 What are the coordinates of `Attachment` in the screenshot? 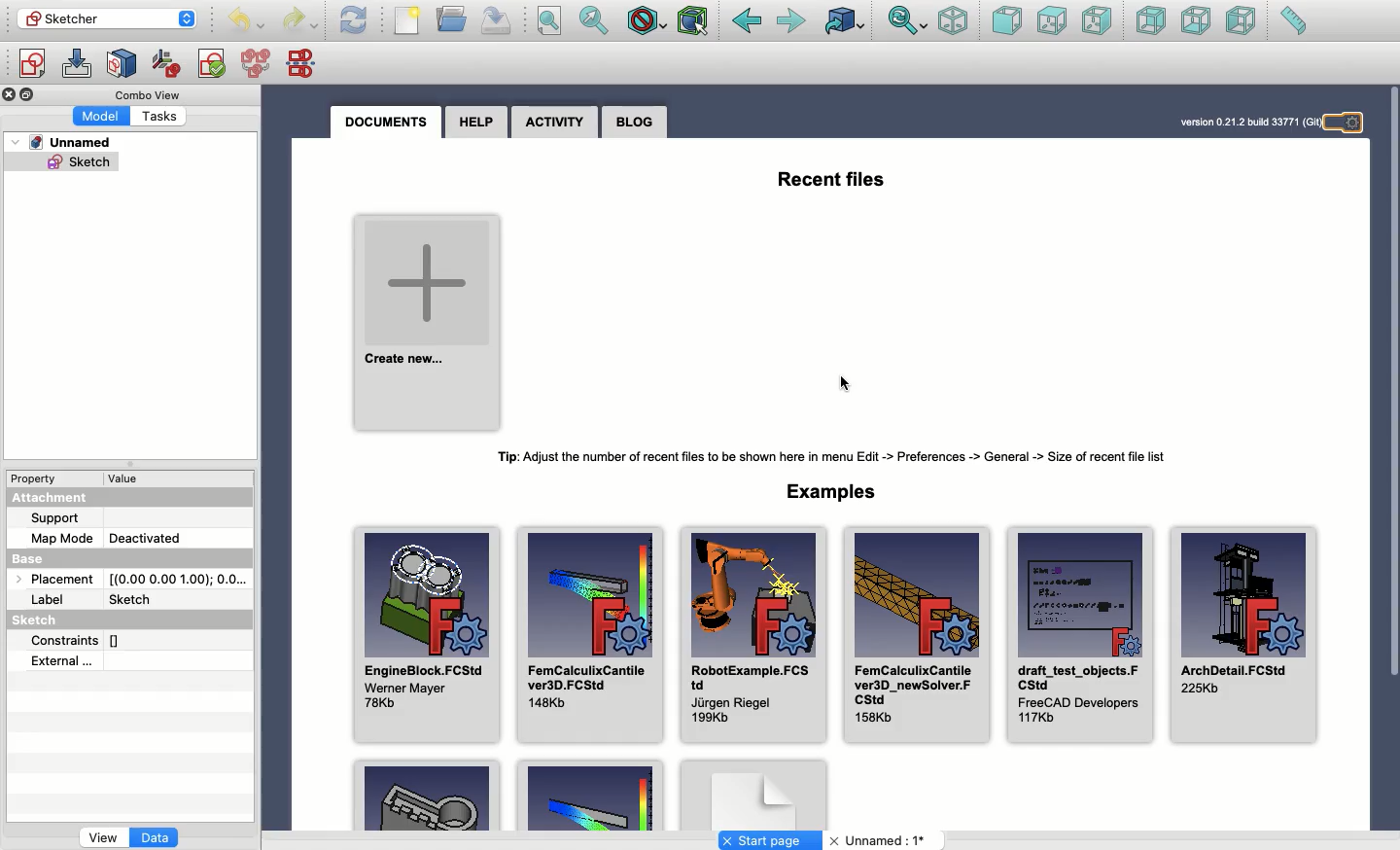 It's located at (60, 497).